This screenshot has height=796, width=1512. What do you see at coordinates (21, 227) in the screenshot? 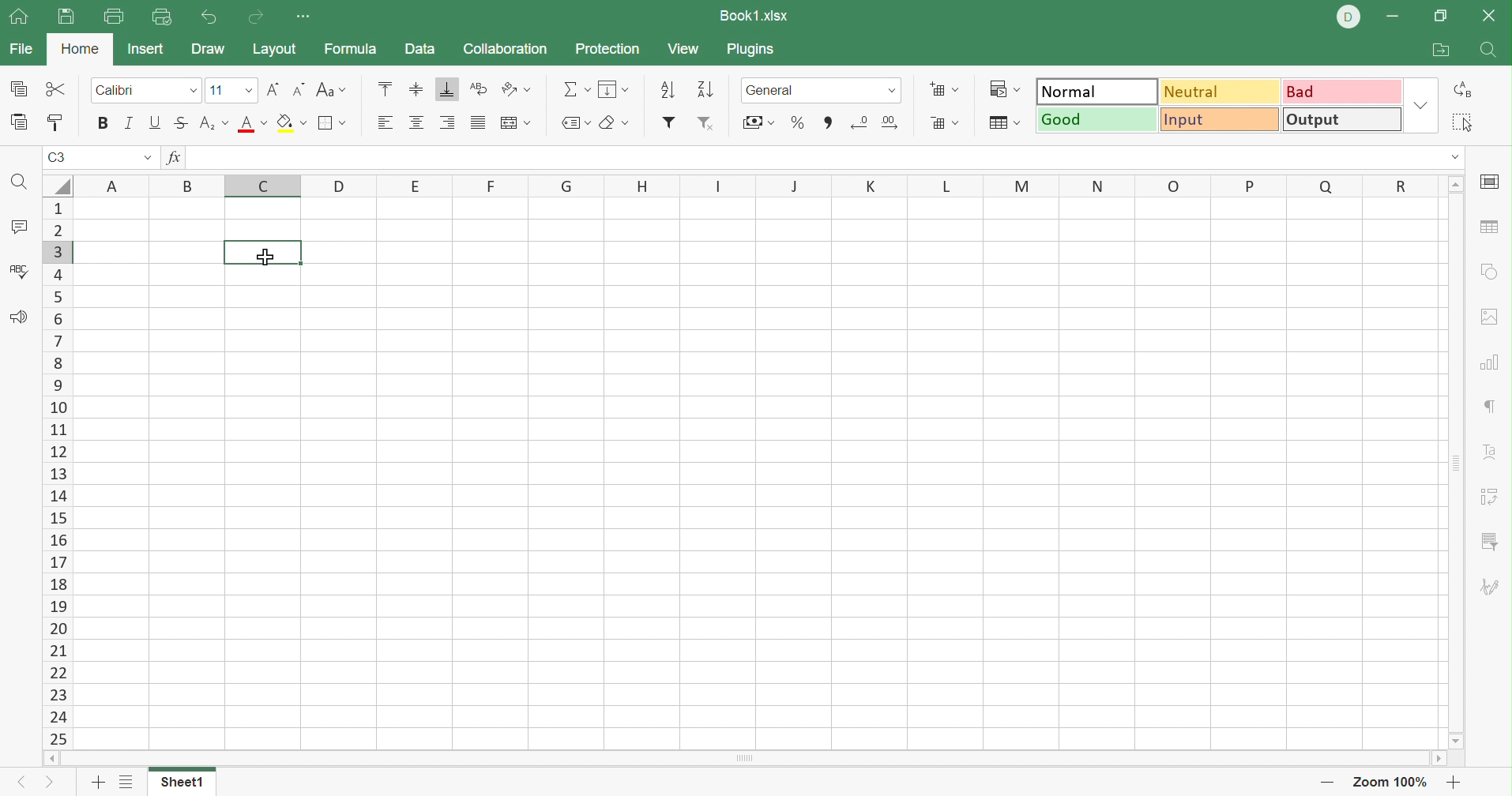
I see `Comments` at bounding box center [21, 227].